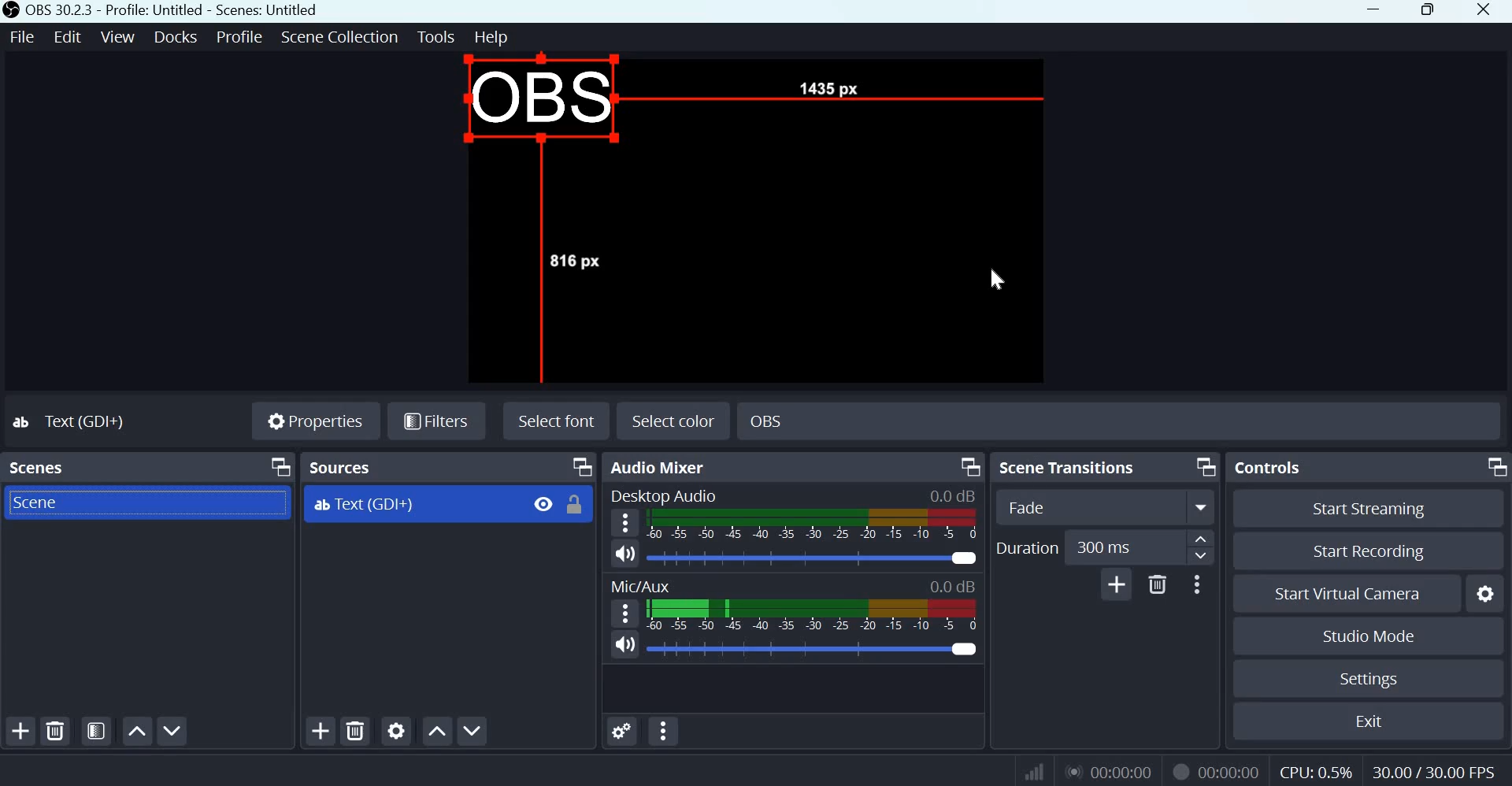 The width and height of the screenshot is (1512, 786). What do you see at coordinates (1369, 509) in the screenshot?
I see `Start streaming` at bounding box center [1369, 509].